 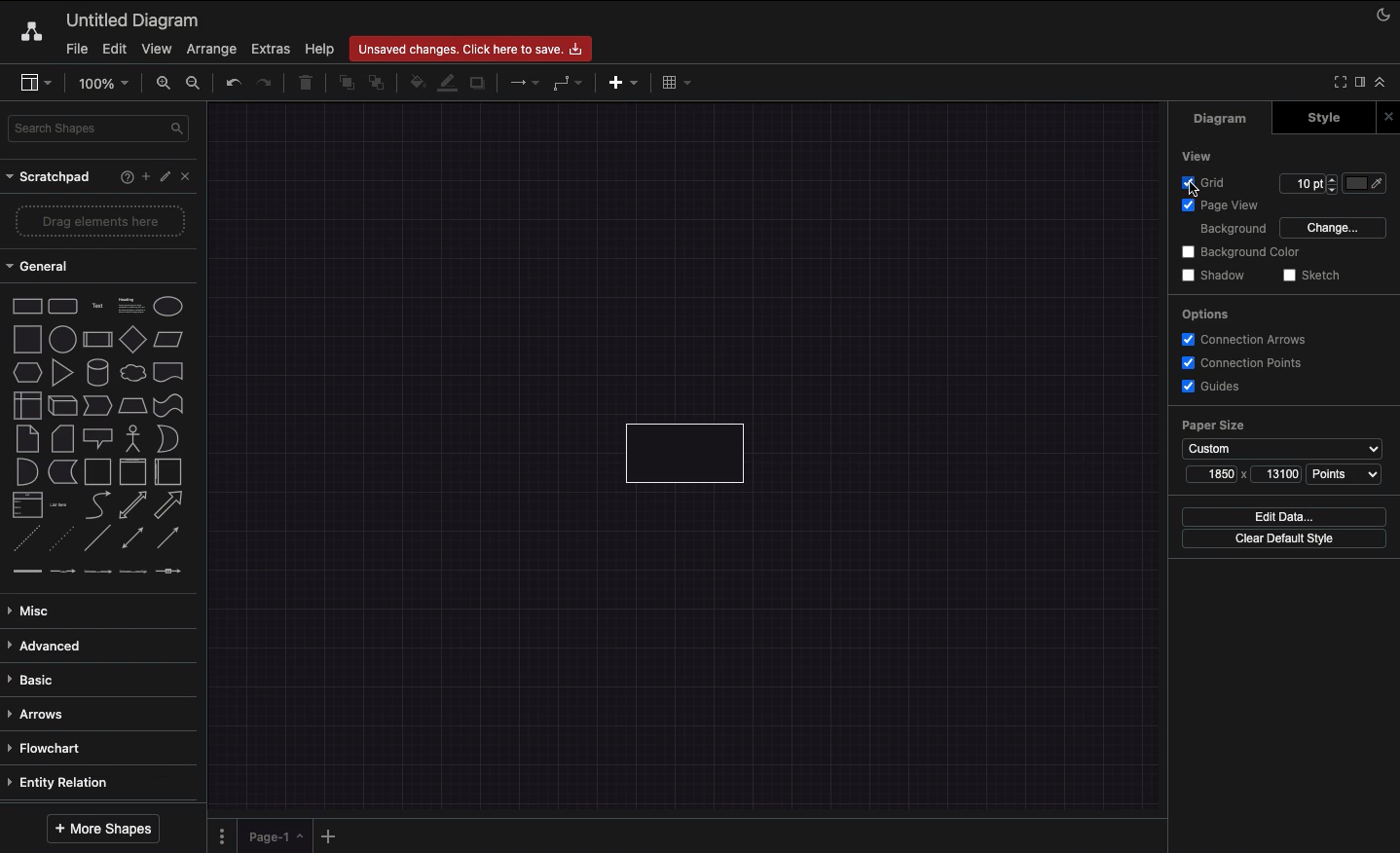 I want to click on cursor, so click(x=1192, y=190).